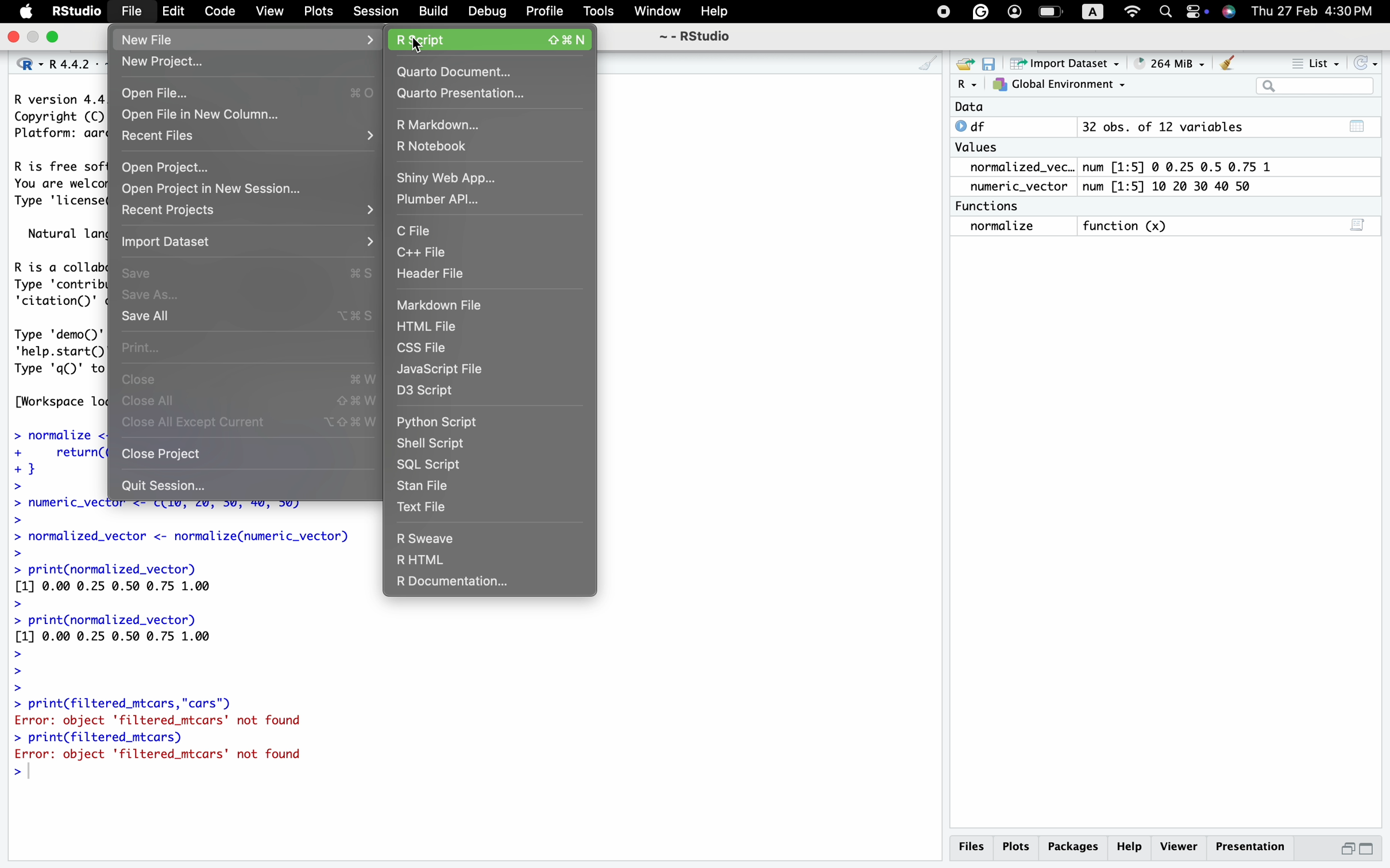 The image size is (1390, 868). Describe the element at coordinates (978, 106) in the screenshot. I see `date` at that location.